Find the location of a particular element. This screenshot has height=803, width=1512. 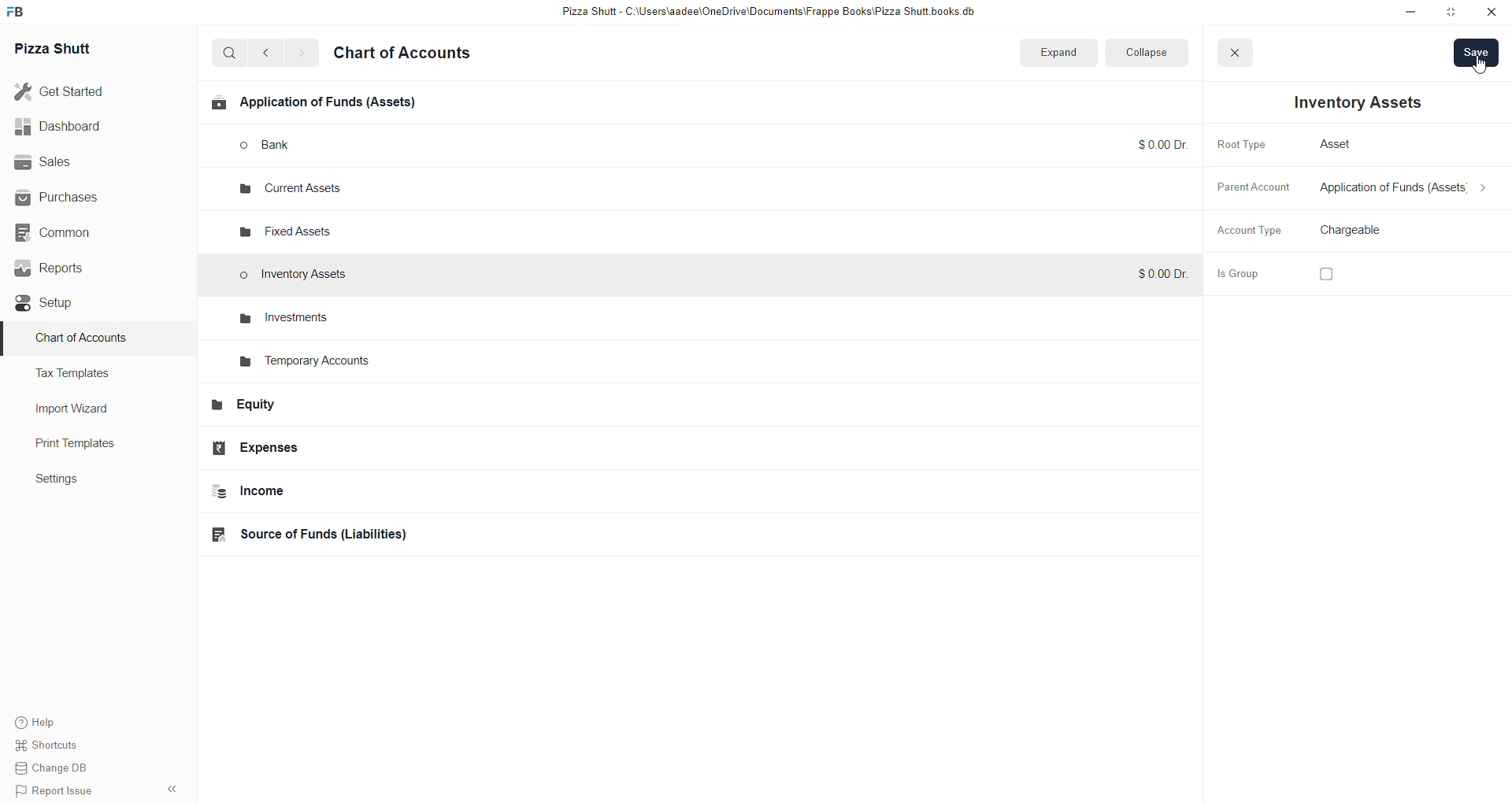

bank  is located at coordinates (290, 146).